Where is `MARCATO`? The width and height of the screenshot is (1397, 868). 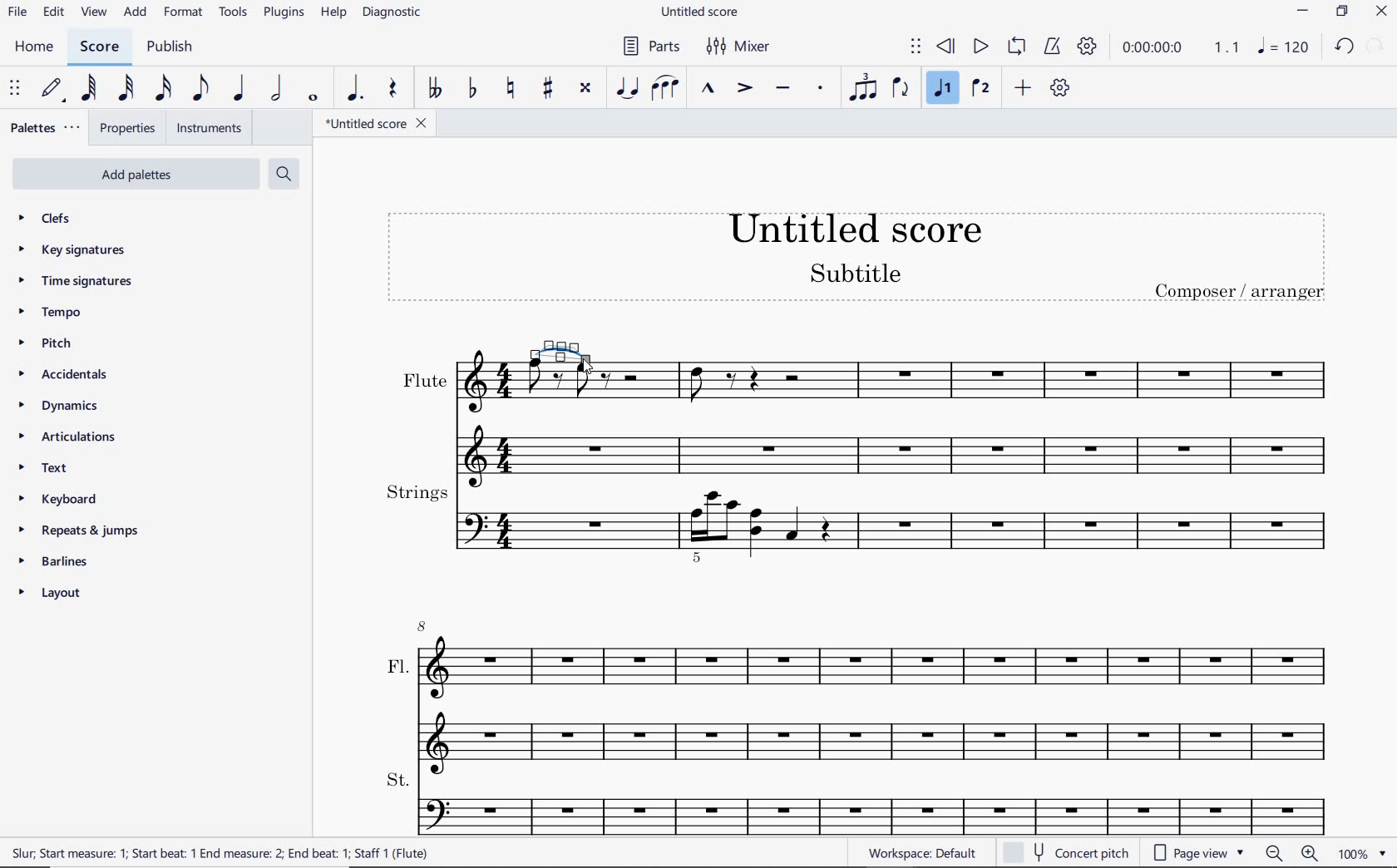 MARCATO is located at coordinates (709, 89).